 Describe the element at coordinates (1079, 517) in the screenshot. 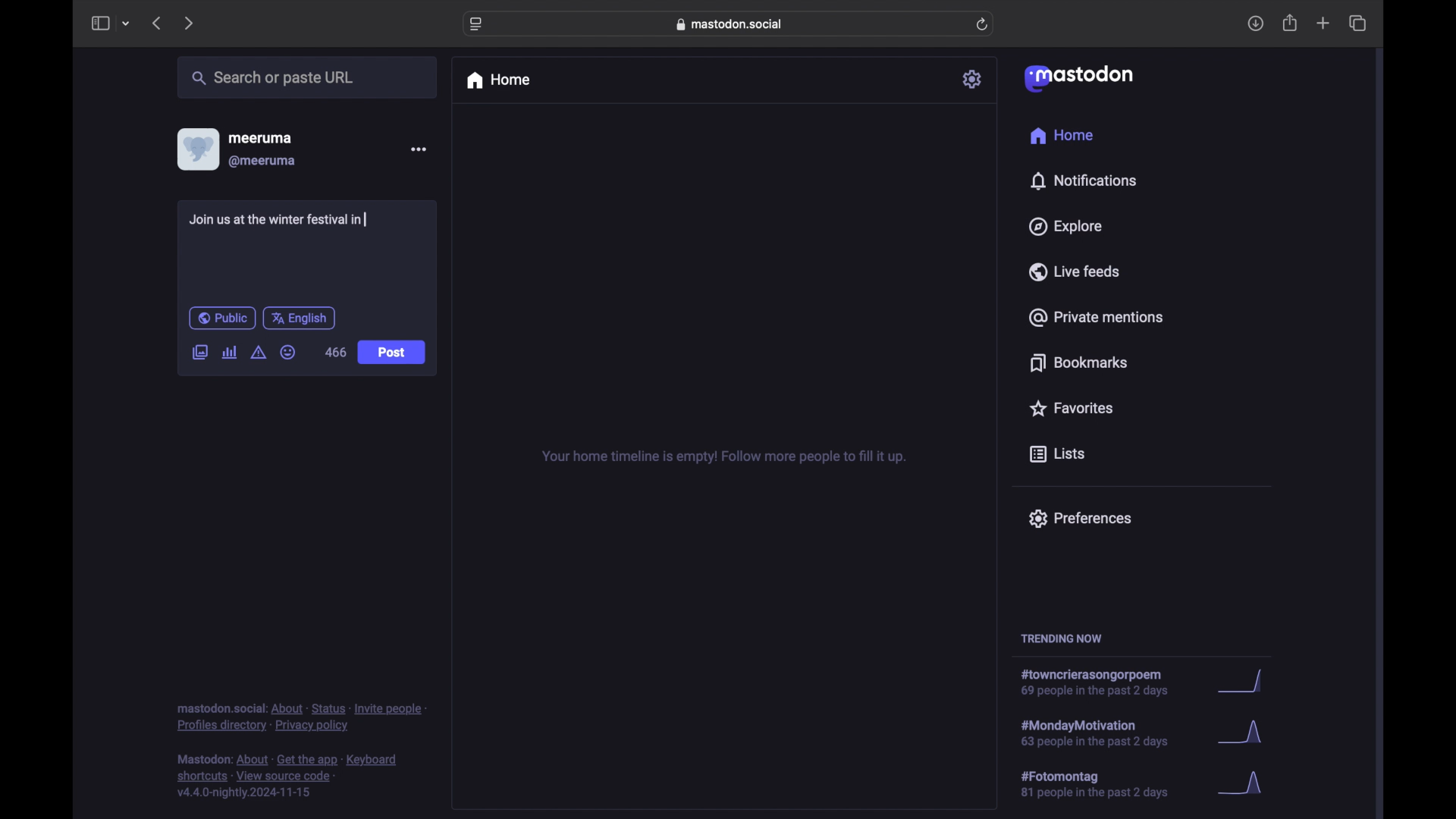

I see `preferences` at that location.